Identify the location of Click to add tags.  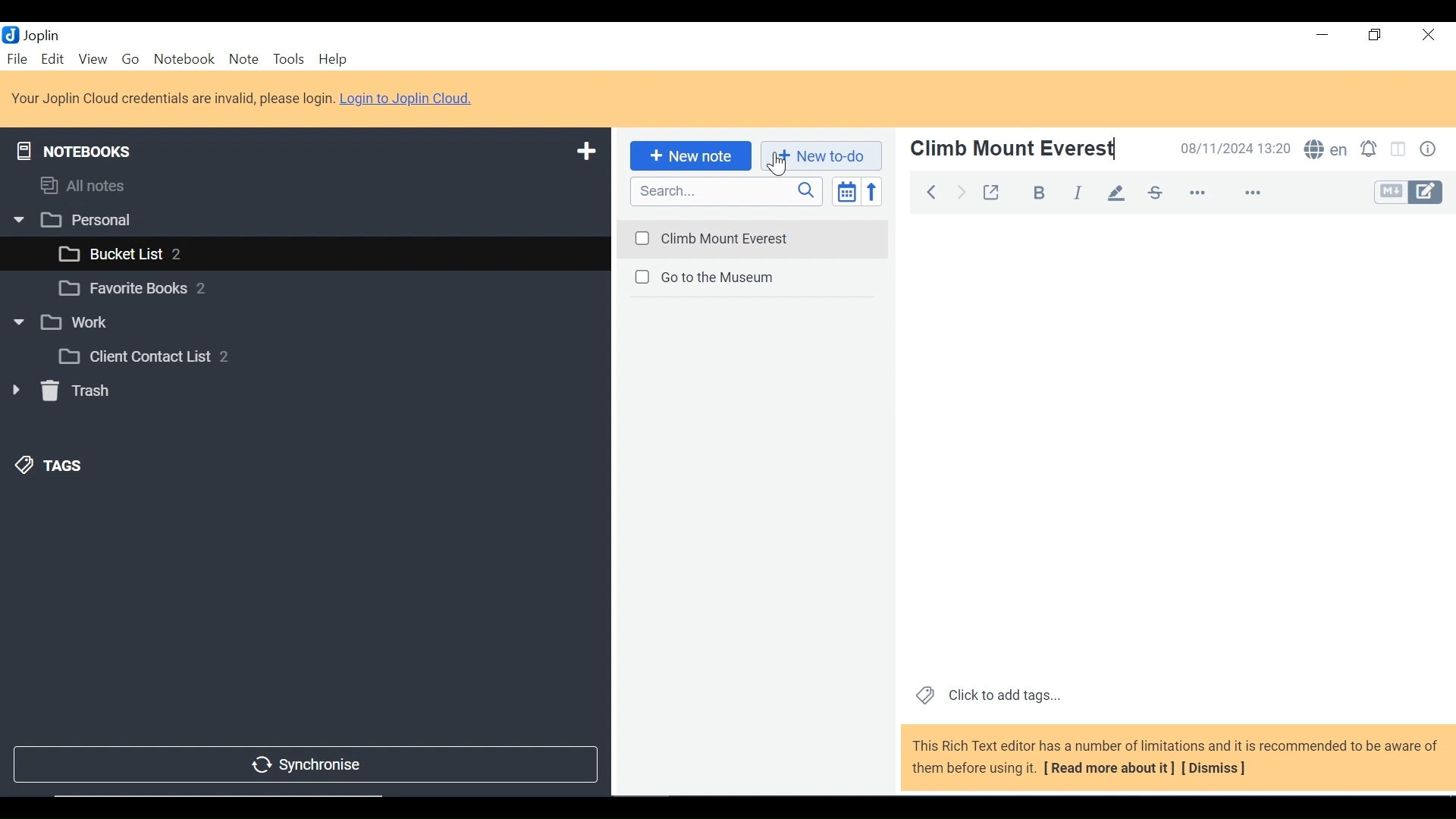
(988, 696).